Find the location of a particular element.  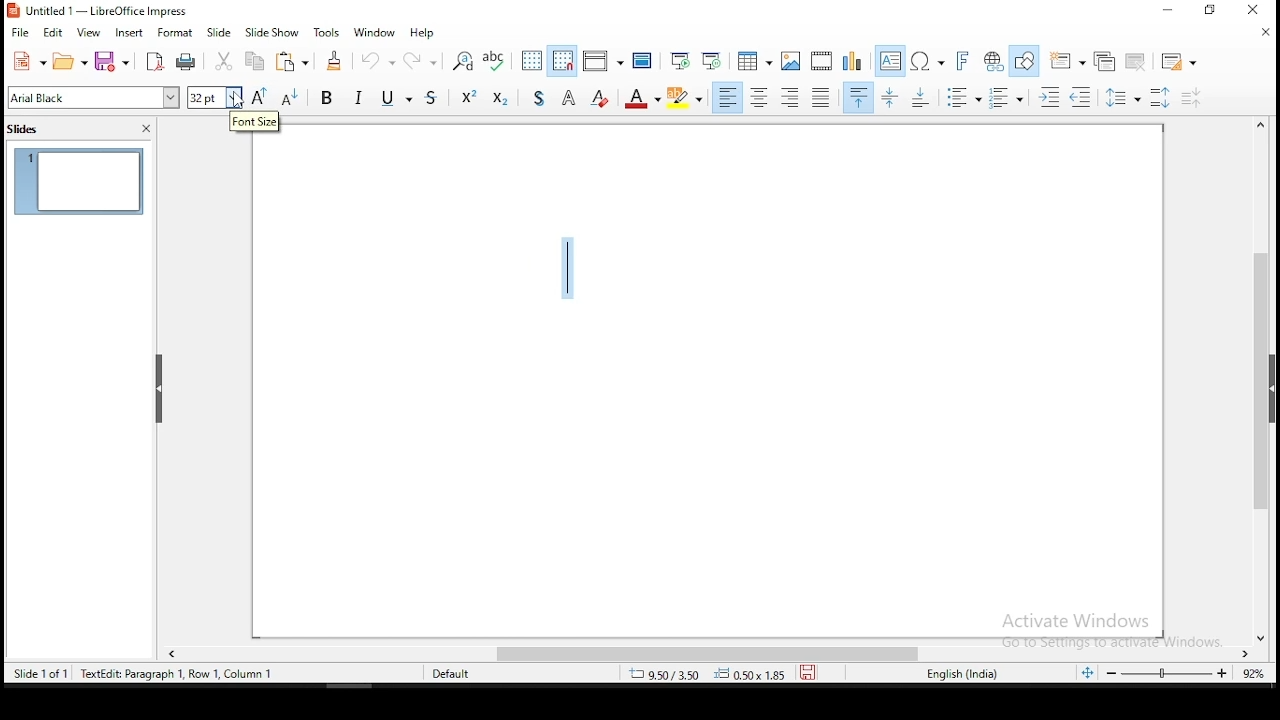

display views is located at coordinates (603, 60).